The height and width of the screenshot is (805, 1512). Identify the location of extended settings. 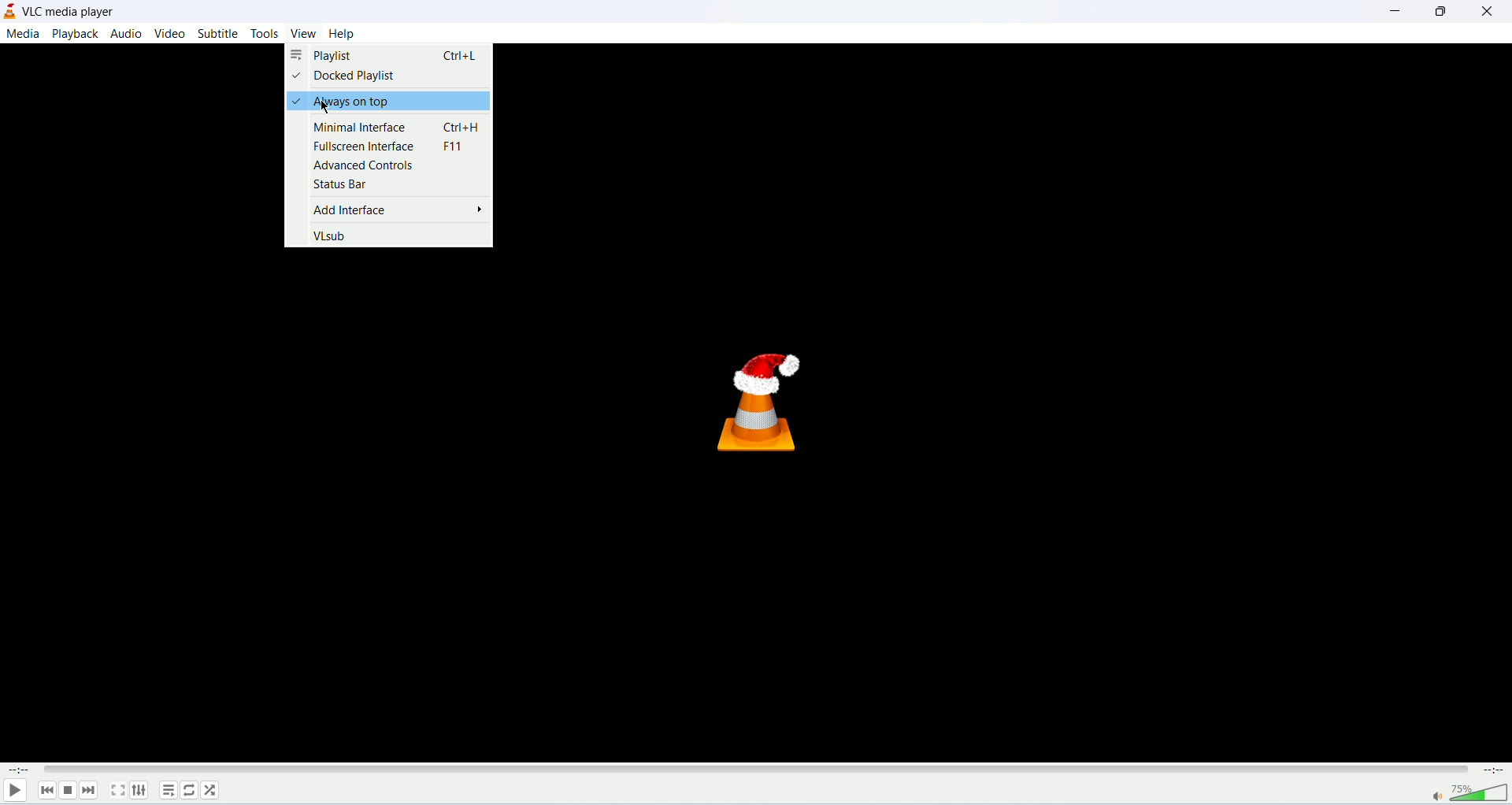
(139, 791).